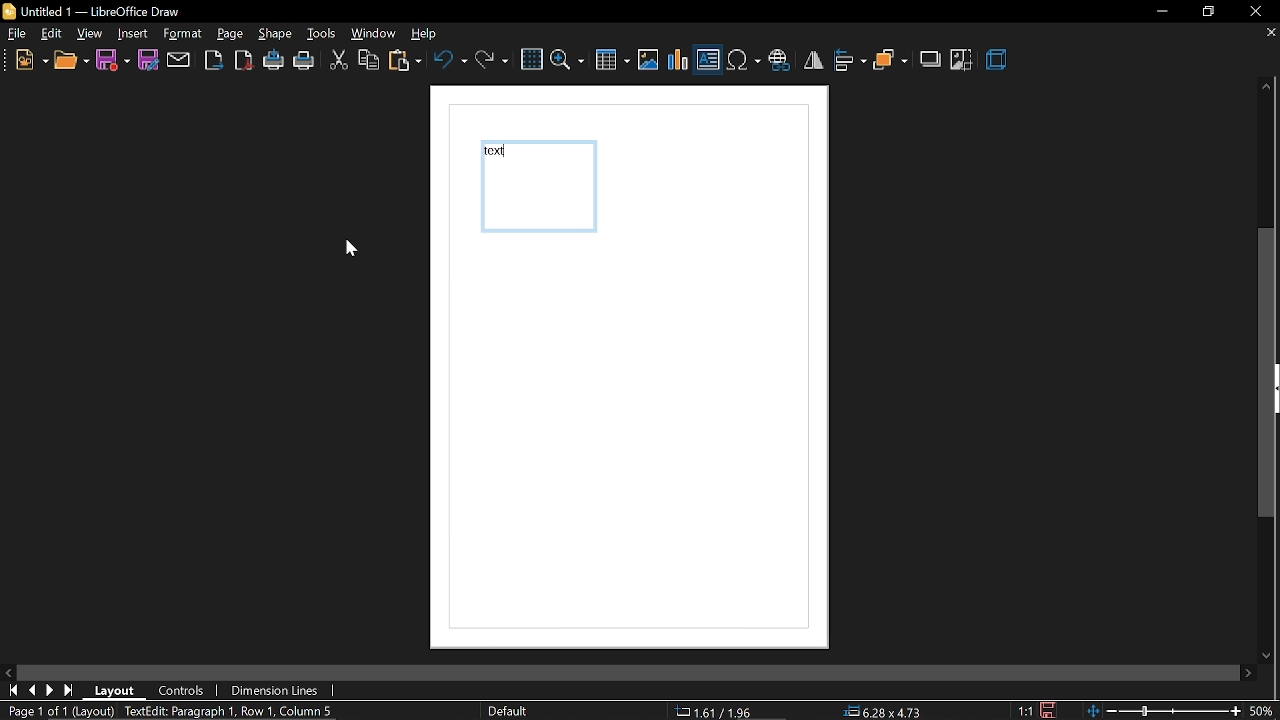 Image resolution: width=1280 pixels, height=720 pixels. What do you see at coordinates (18, 36) in the screenshot?
I see `file` at bounding box center [18, 36].